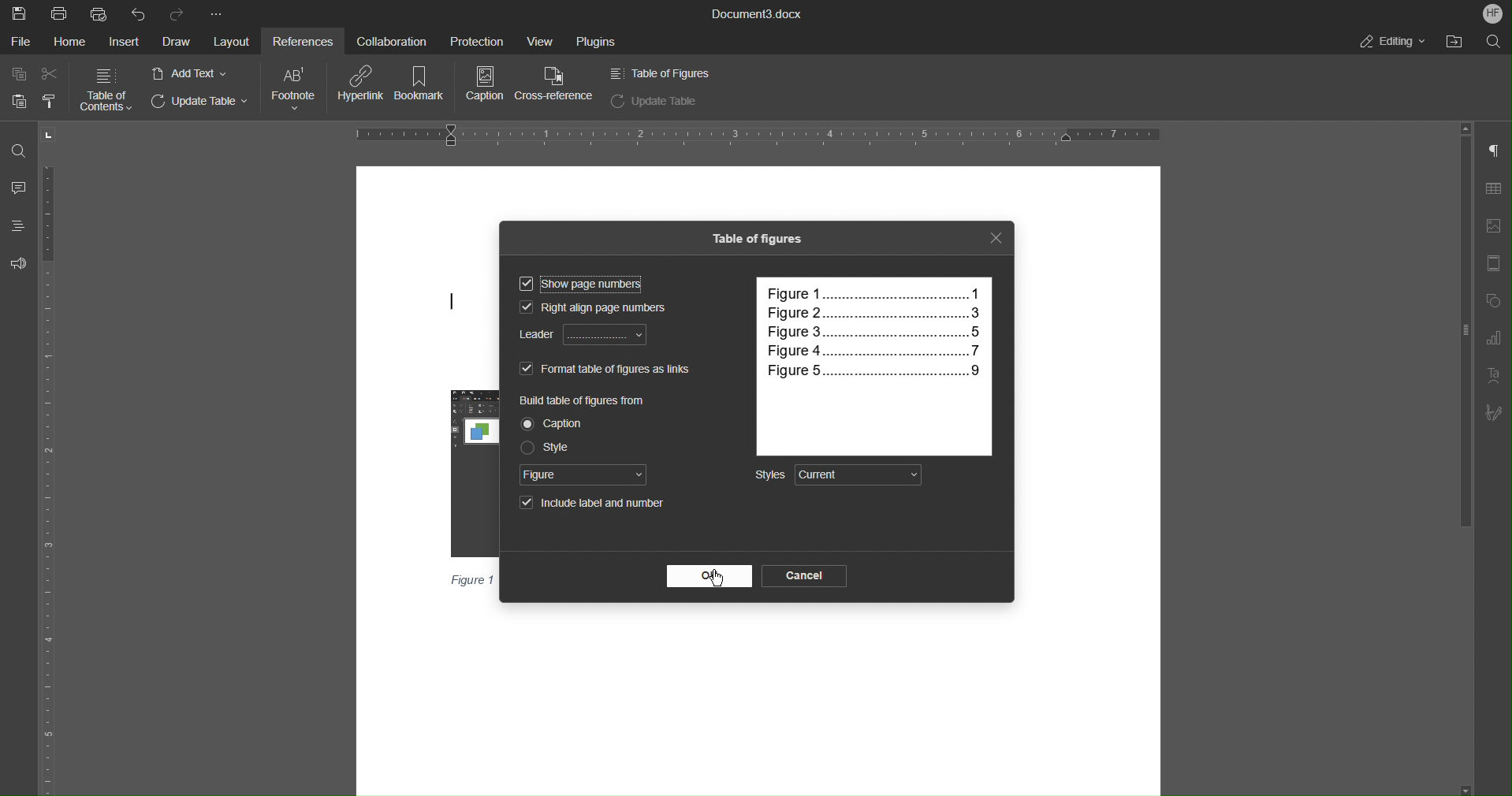 The image size is (1512, 796). I want to click on References, so click(300, 39).